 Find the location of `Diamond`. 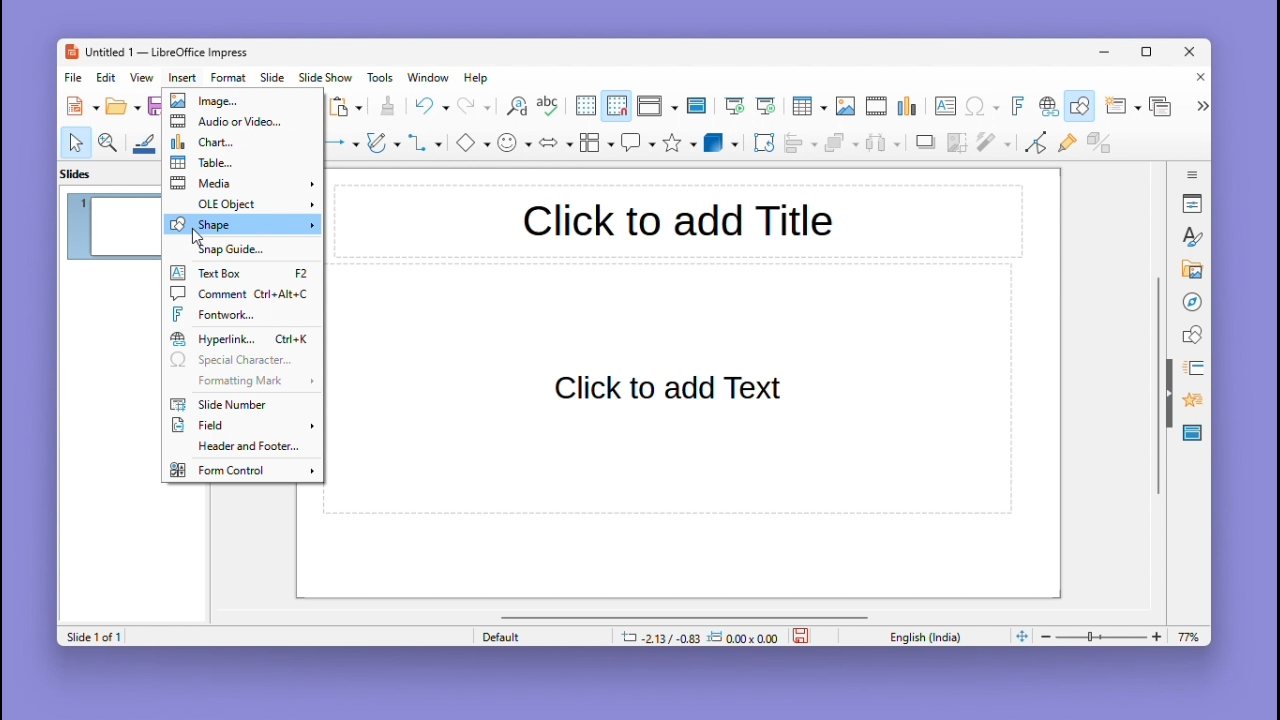

Diamond is located at coordinates (472, 143).